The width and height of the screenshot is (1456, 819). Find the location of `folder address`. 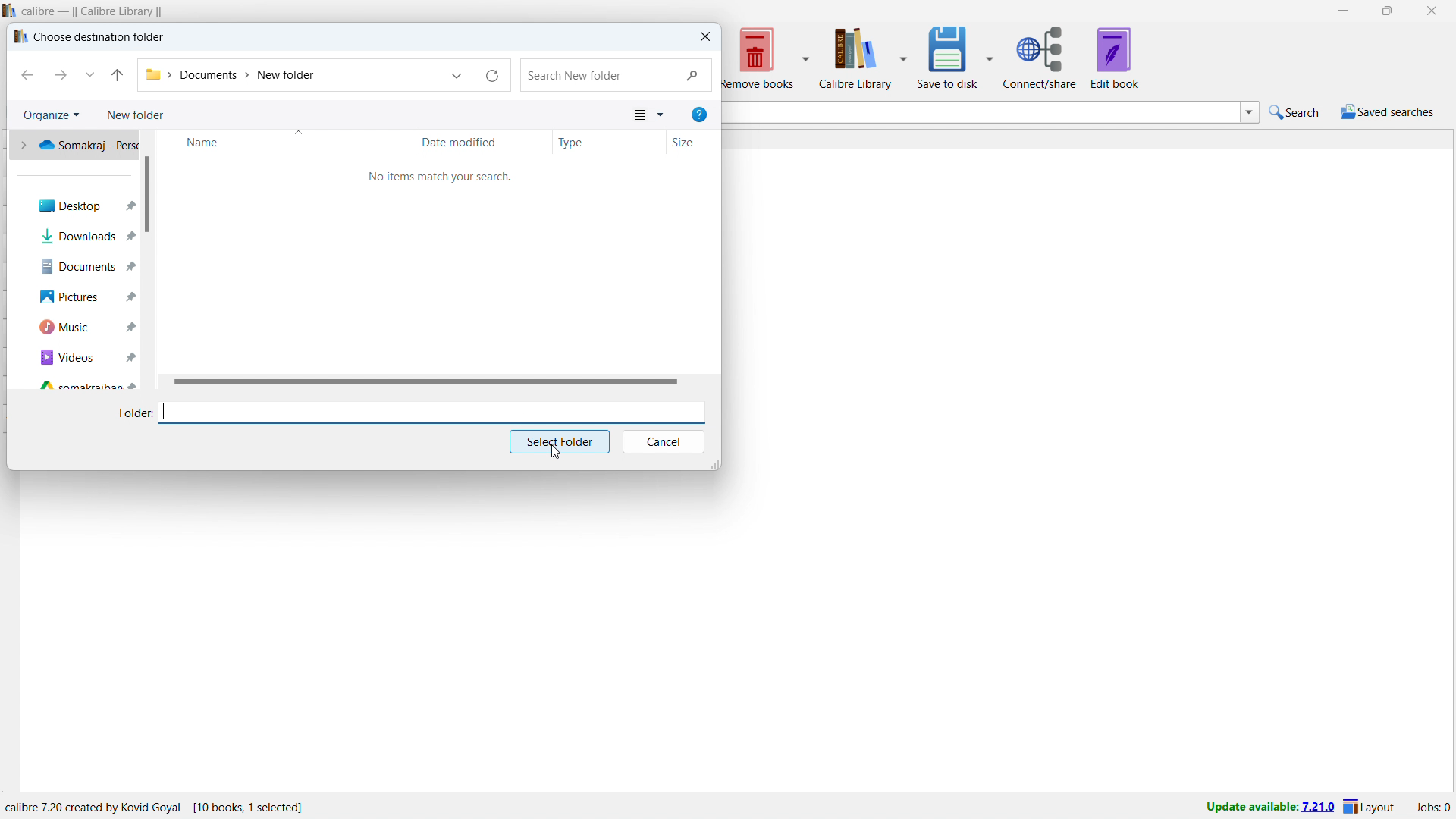

folder address is located at coordinates (290, 75).